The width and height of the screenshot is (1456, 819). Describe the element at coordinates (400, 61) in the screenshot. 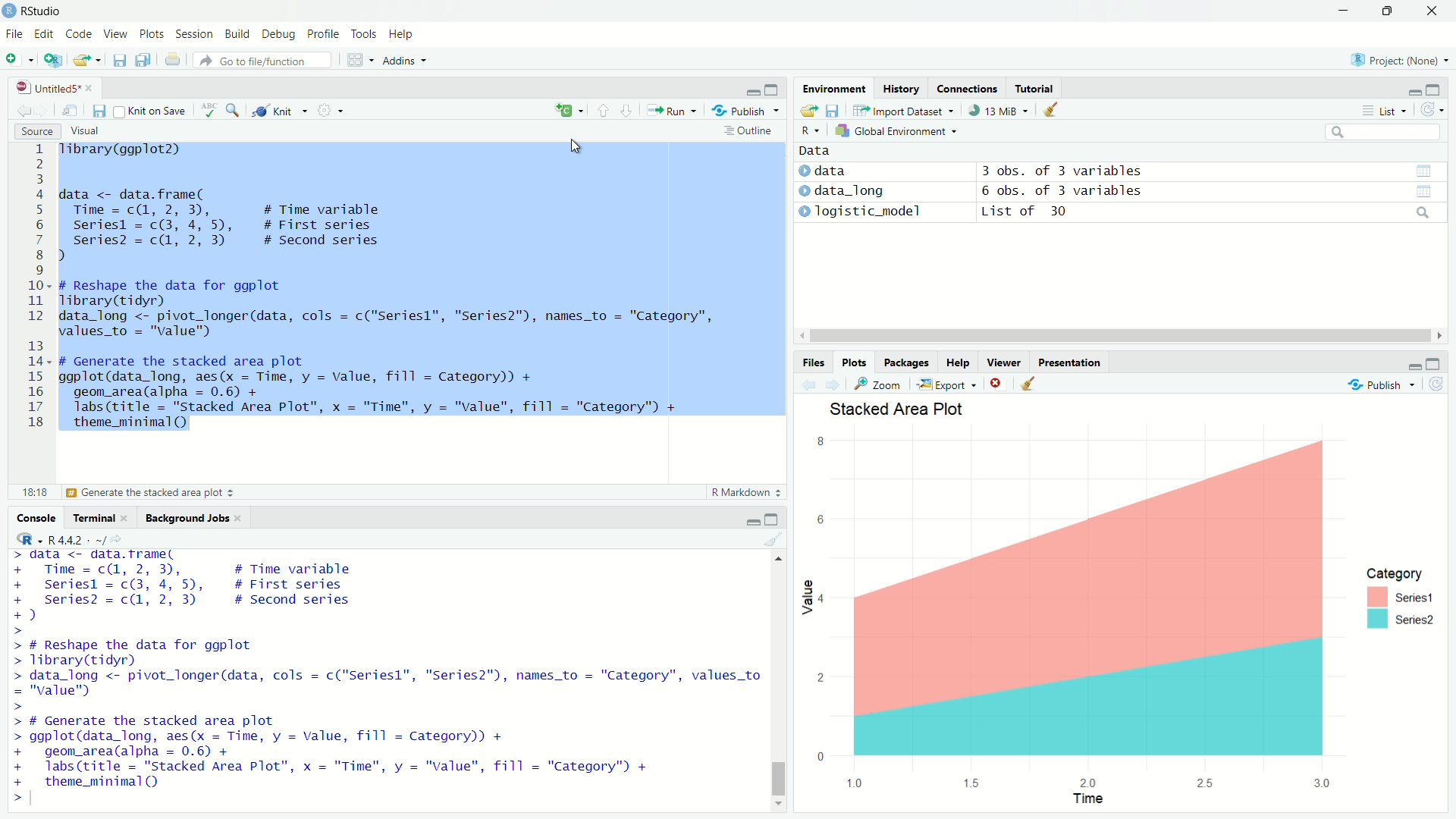

I see `Addins` at that location.